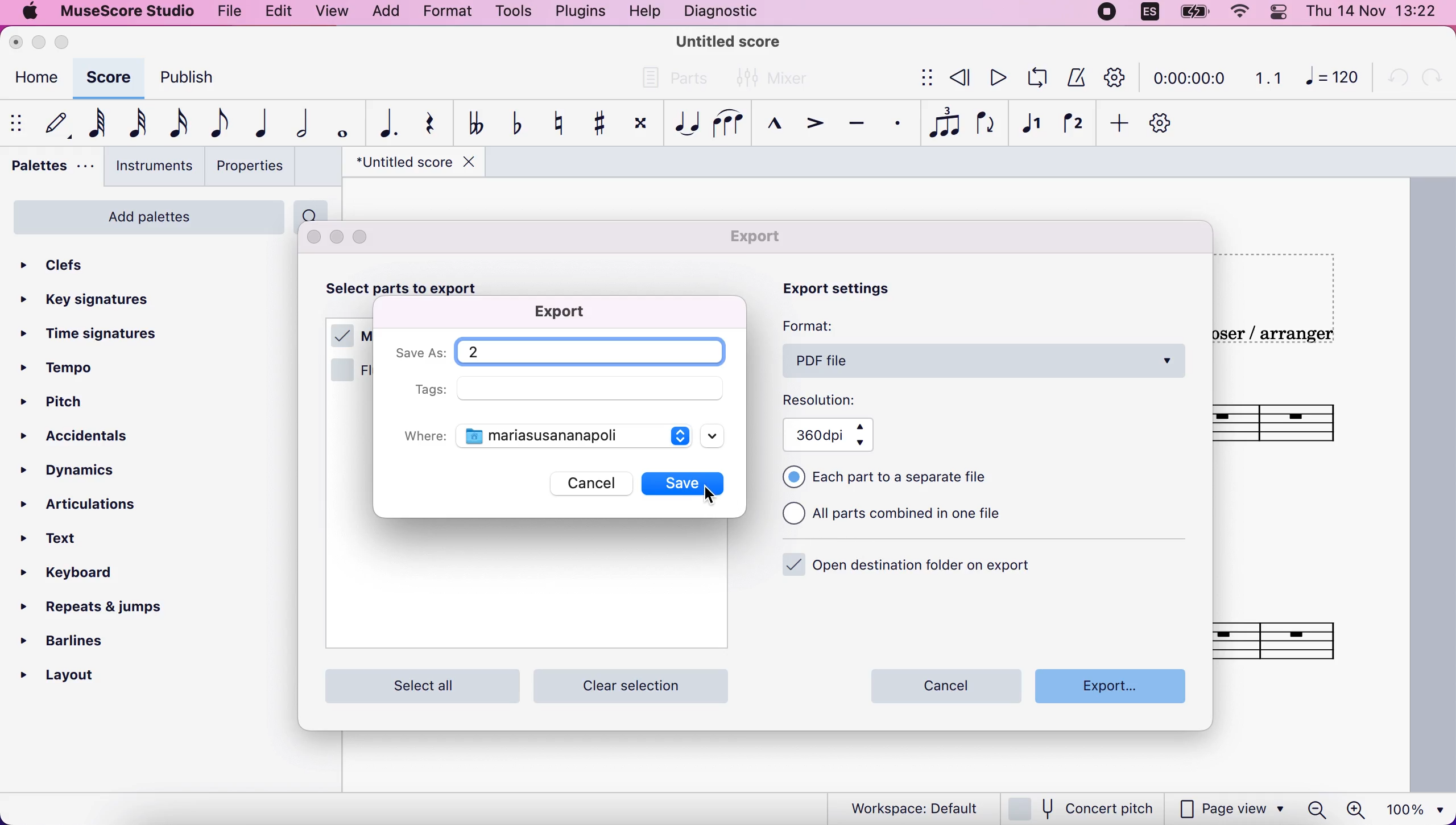  What do you see at coordinates (715, 436) in the screenshot?
I see `scroll` at bounding box center [715, 436].